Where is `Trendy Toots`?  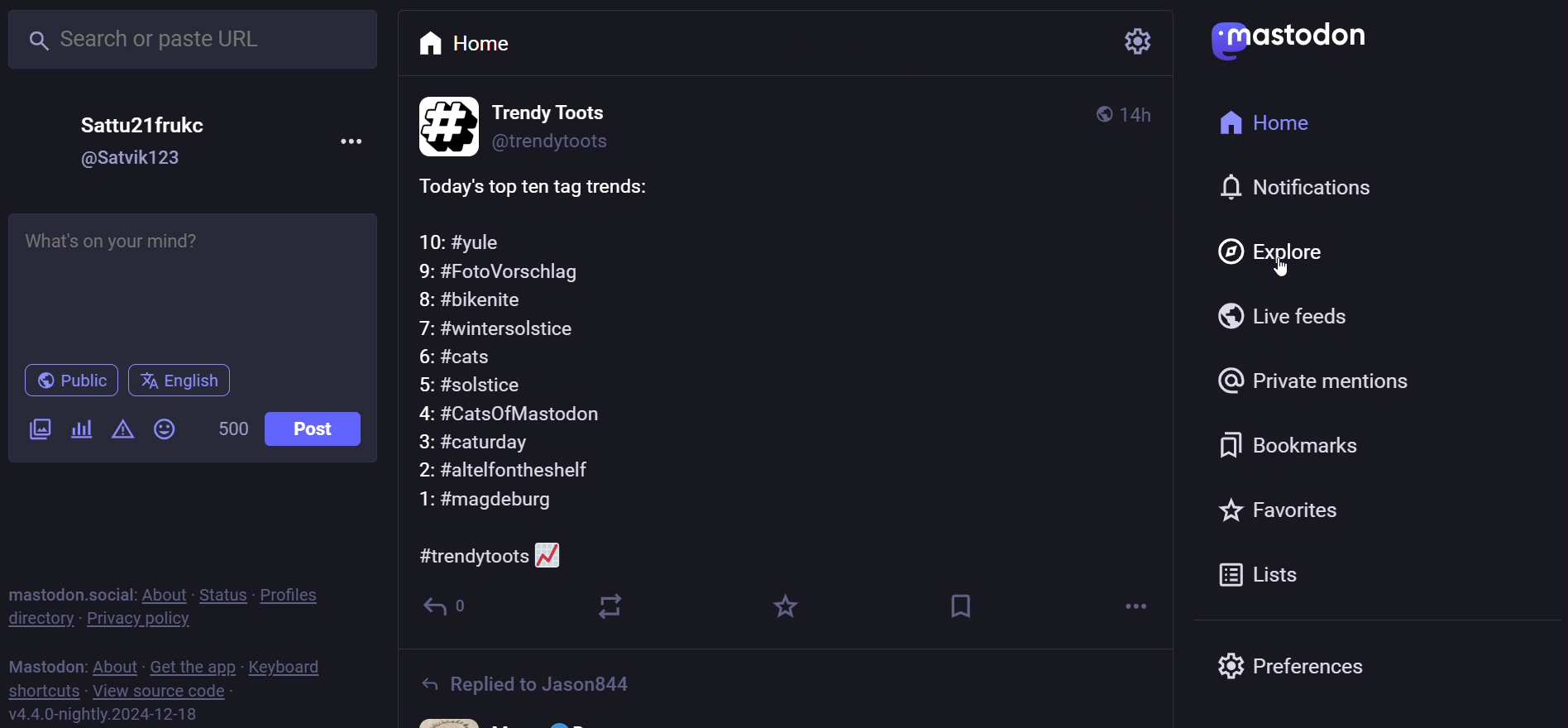
Trendy Toots is located at coordinates (572, 108).